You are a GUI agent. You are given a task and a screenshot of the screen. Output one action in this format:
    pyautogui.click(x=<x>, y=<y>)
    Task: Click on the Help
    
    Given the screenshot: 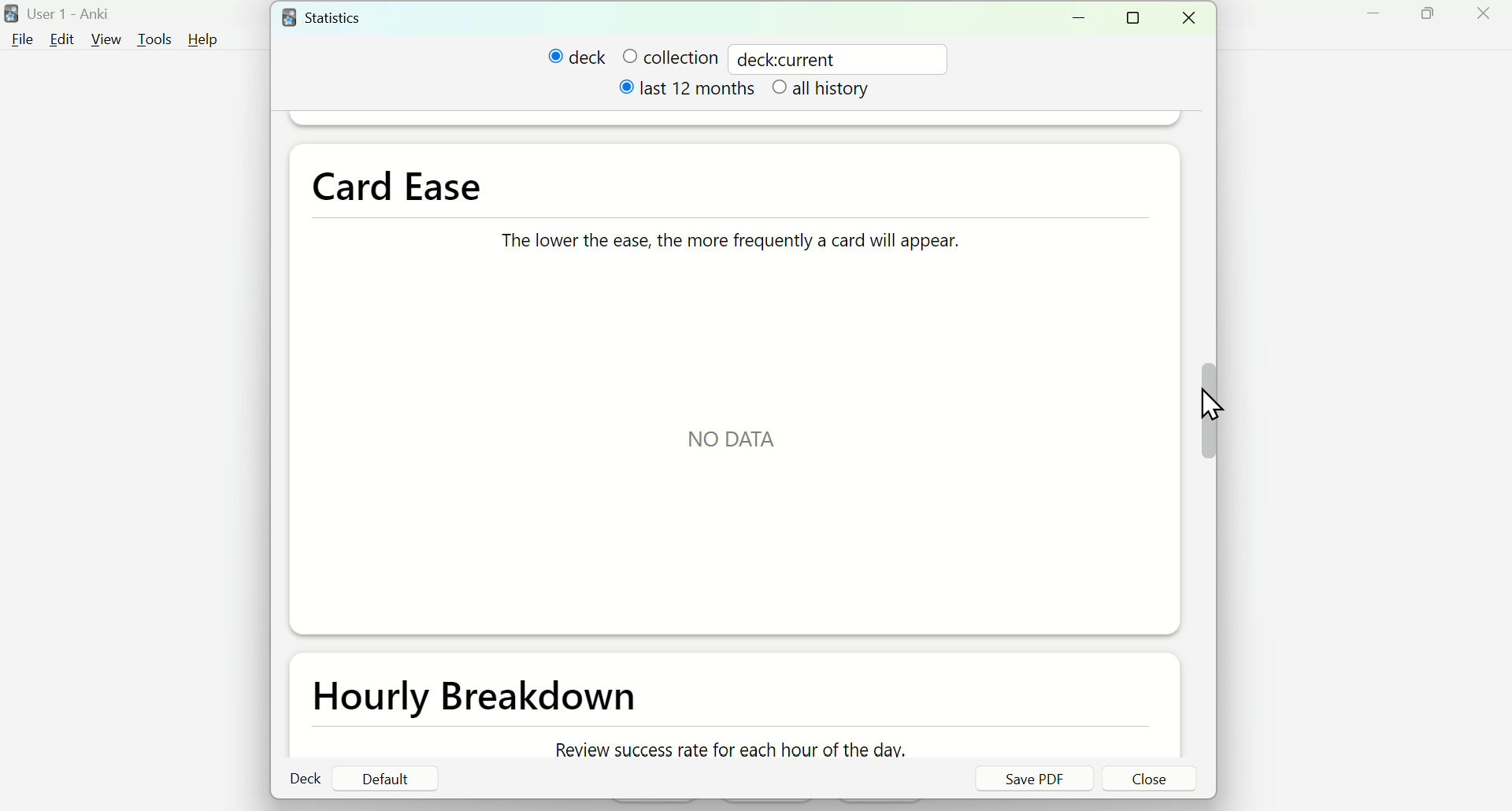 What is the action you would take?
    pyautogui.click(x=210, y=39)
    